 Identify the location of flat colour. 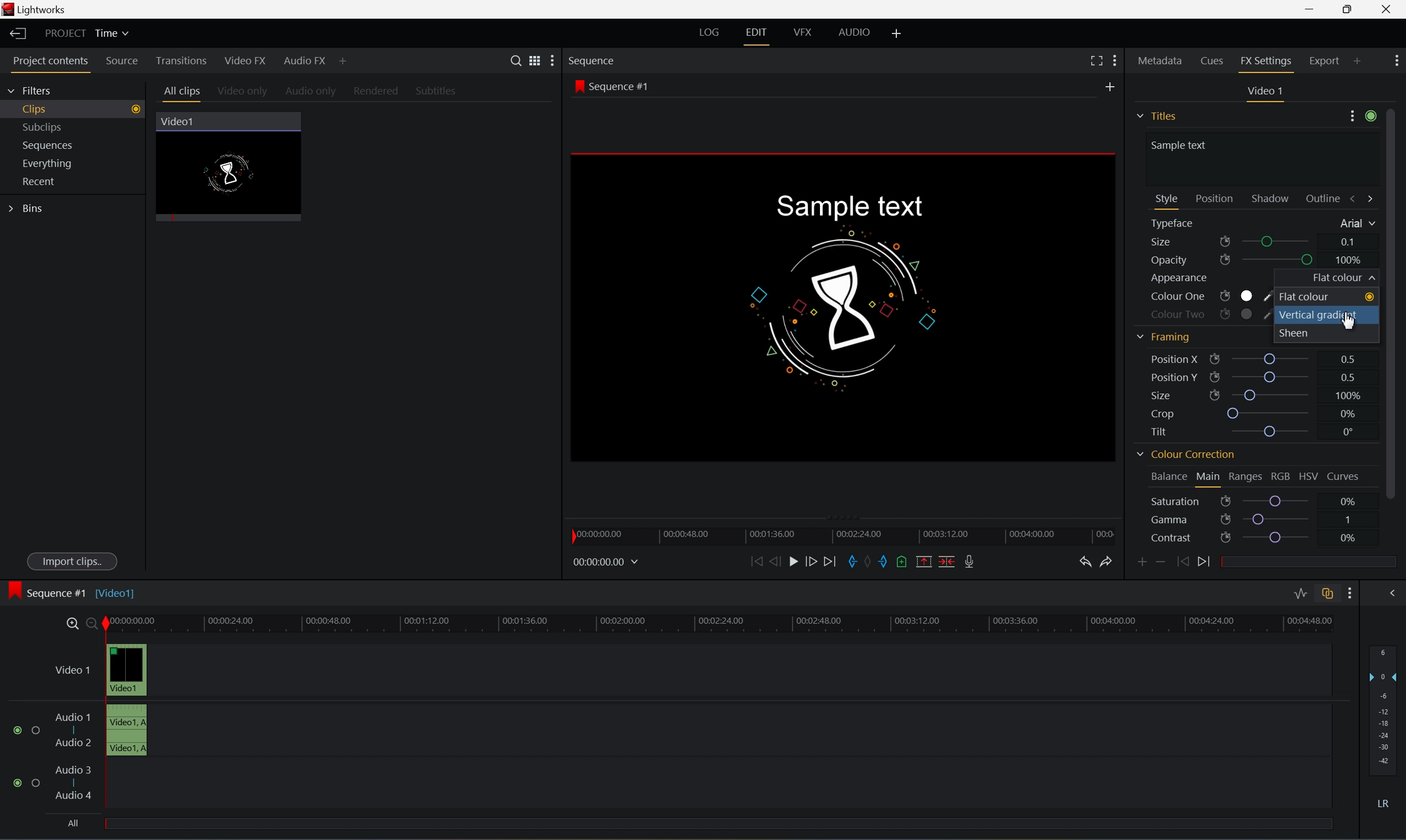
(1340, 278).